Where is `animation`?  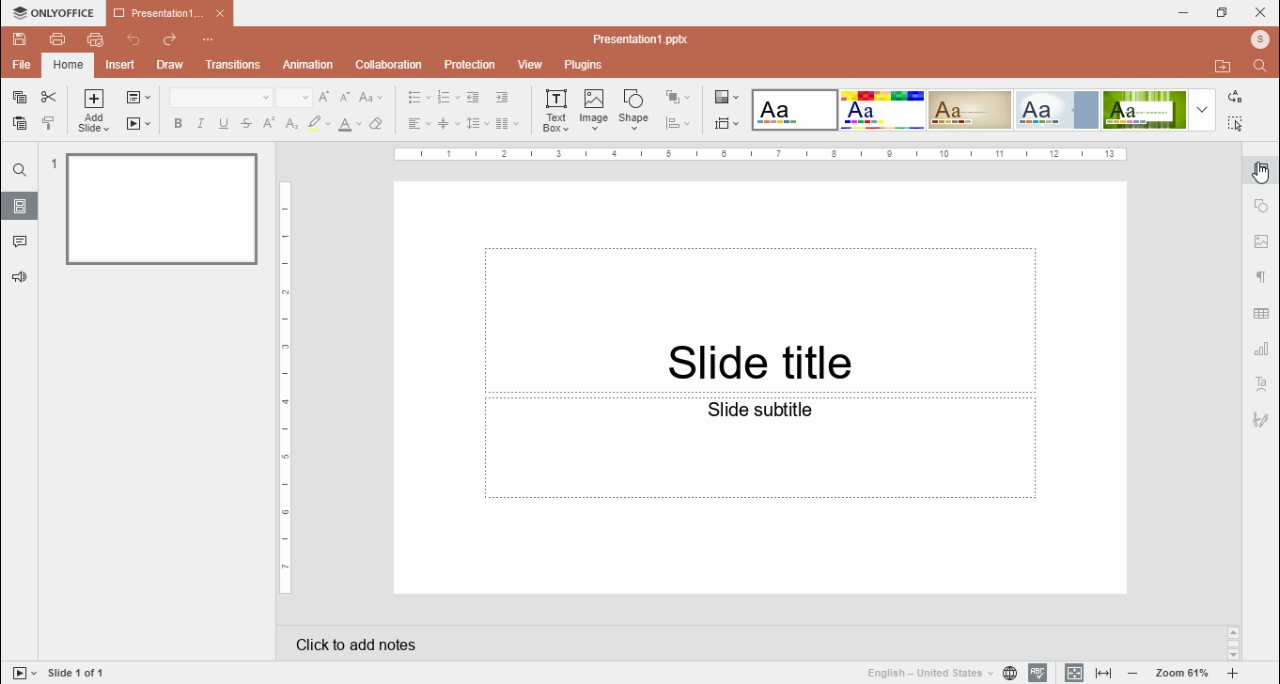
animation is located at coordinates (305, 65).